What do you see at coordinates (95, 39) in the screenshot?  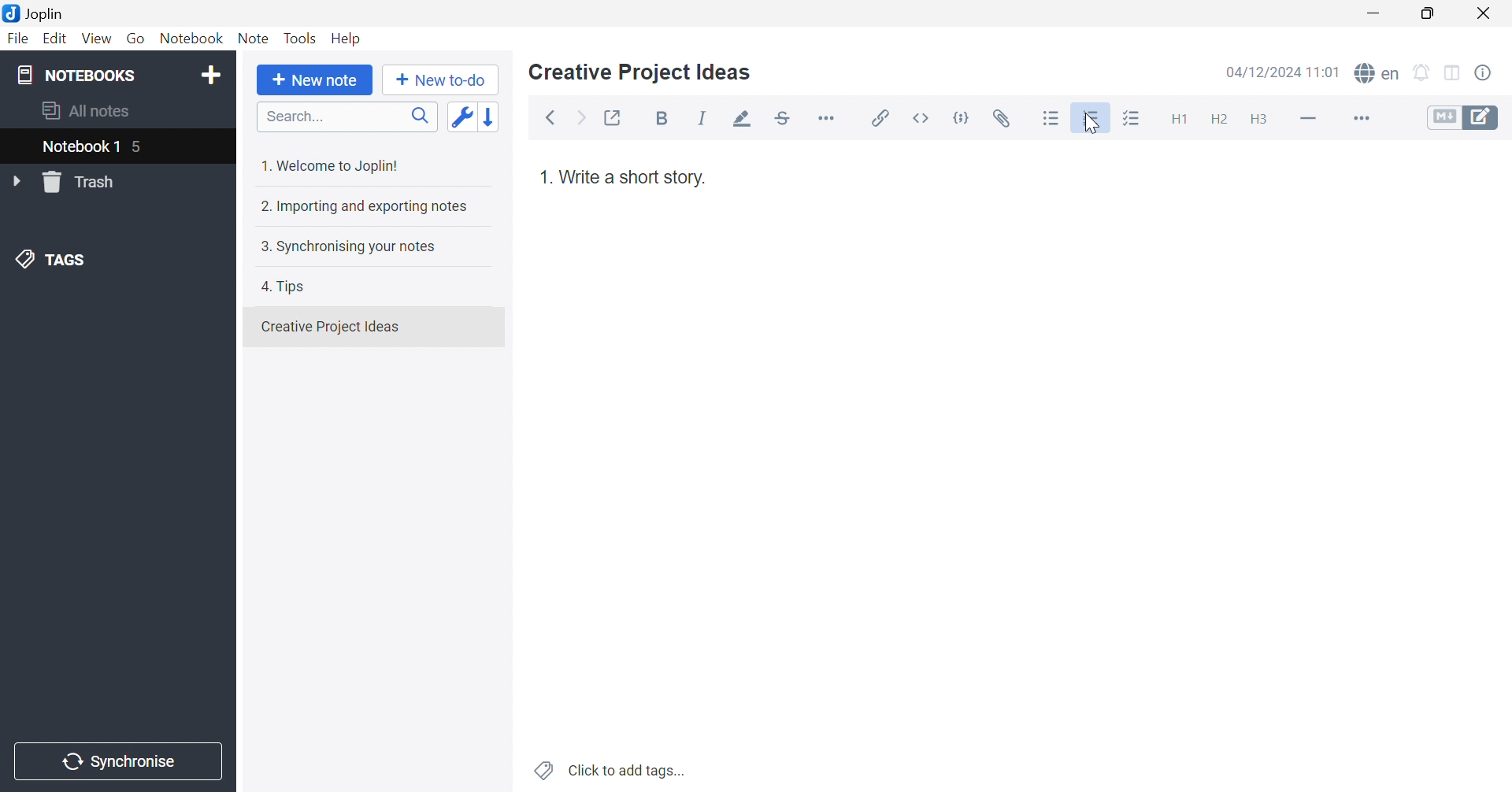 I see `View` at bounding box center [95, 39].